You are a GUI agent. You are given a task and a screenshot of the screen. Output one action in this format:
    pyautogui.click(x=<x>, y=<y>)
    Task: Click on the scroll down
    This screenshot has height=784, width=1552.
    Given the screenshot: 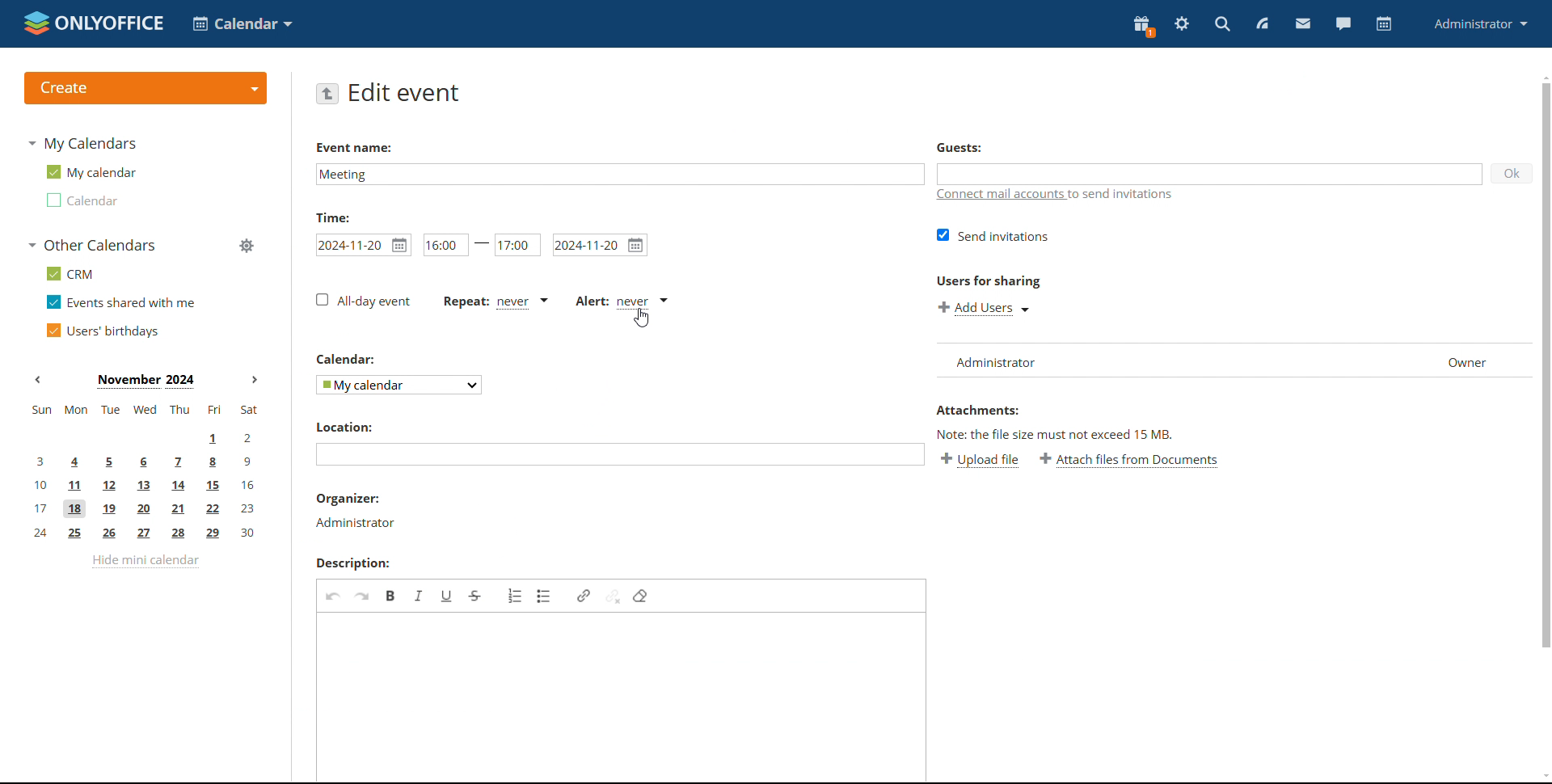 What is the action you would take?
    pyautogui.click(x=1542, y=778)
    